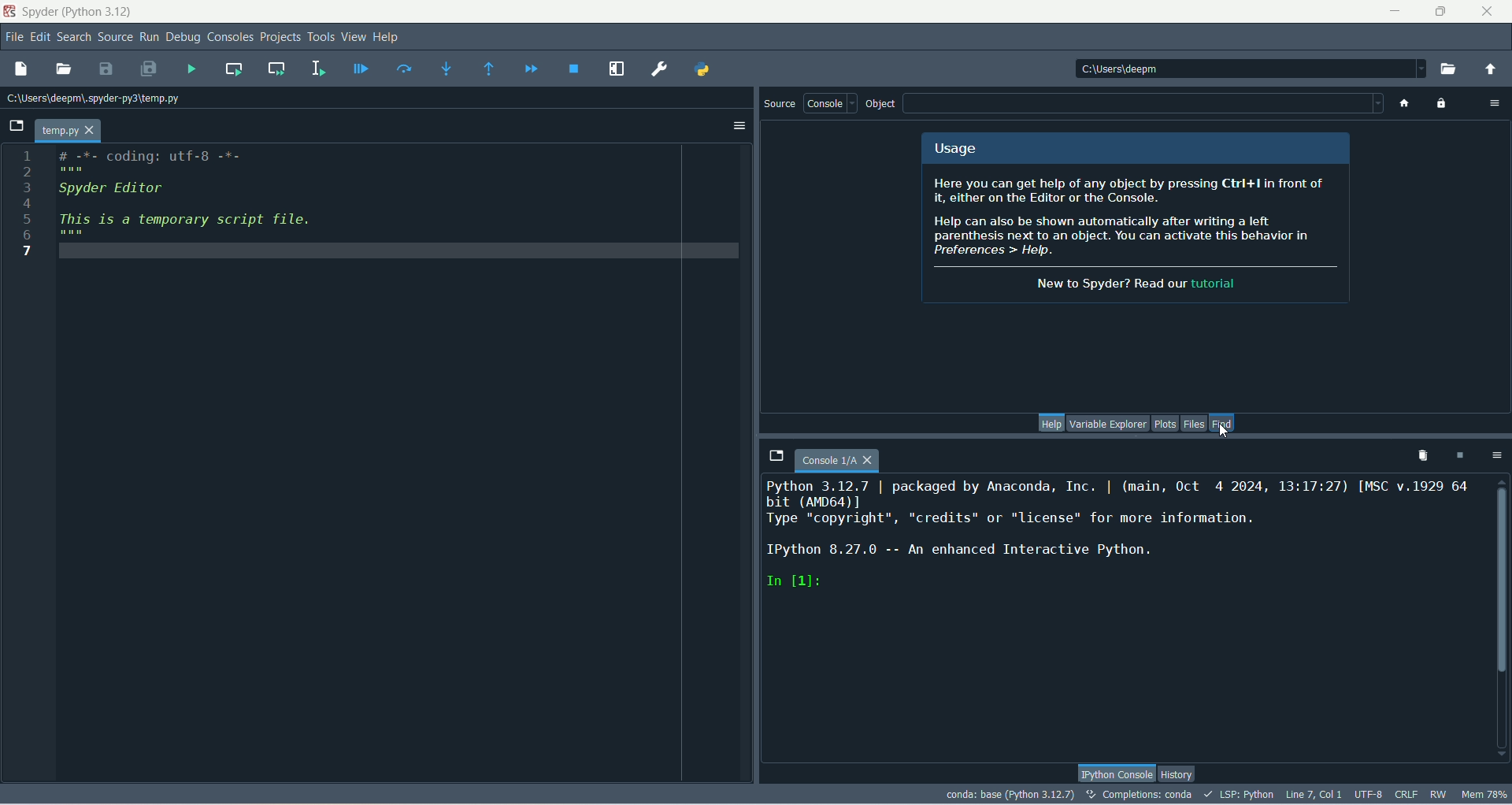 The width and height of the screenshot is (1512, 805). Describe the element at coordinates (13, 36) in the screenshot. I see `file` at that location.